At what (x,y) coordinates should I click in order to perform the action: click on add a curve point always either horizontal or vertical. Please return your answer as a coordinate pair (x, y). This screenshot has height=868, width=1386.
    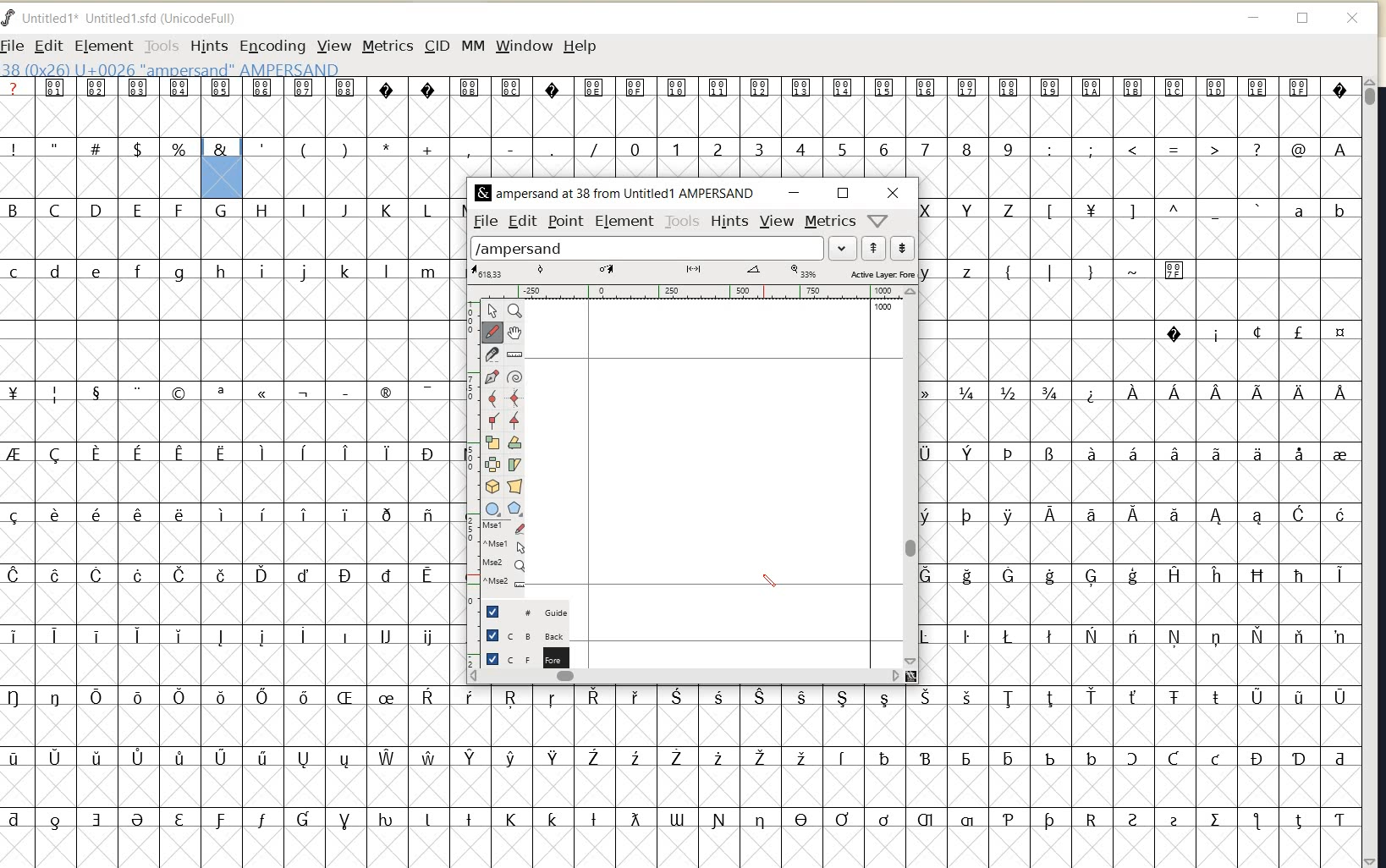
    Looking at the image, I should click on (518, 398).